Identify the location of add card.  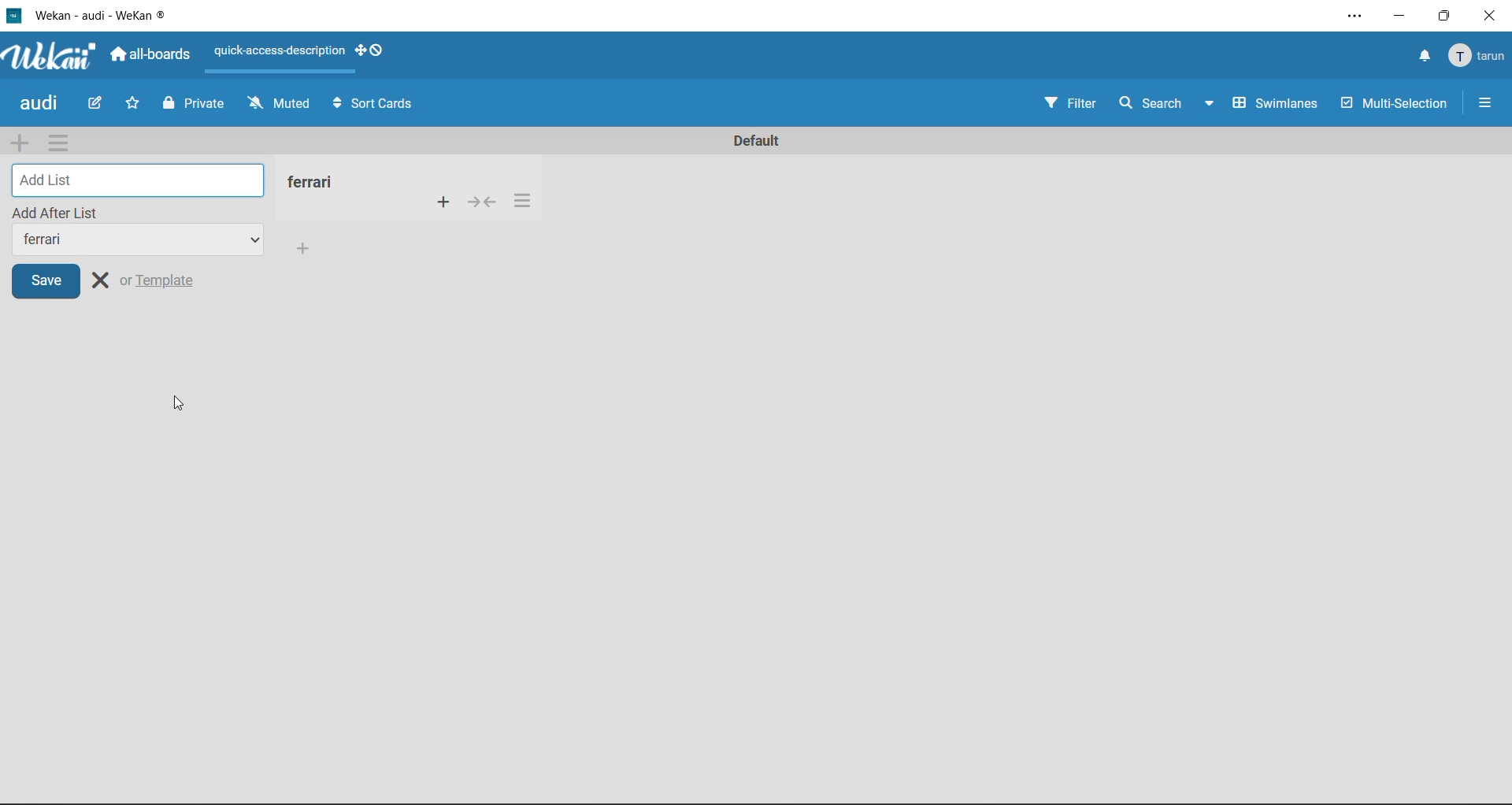
(447, 203).